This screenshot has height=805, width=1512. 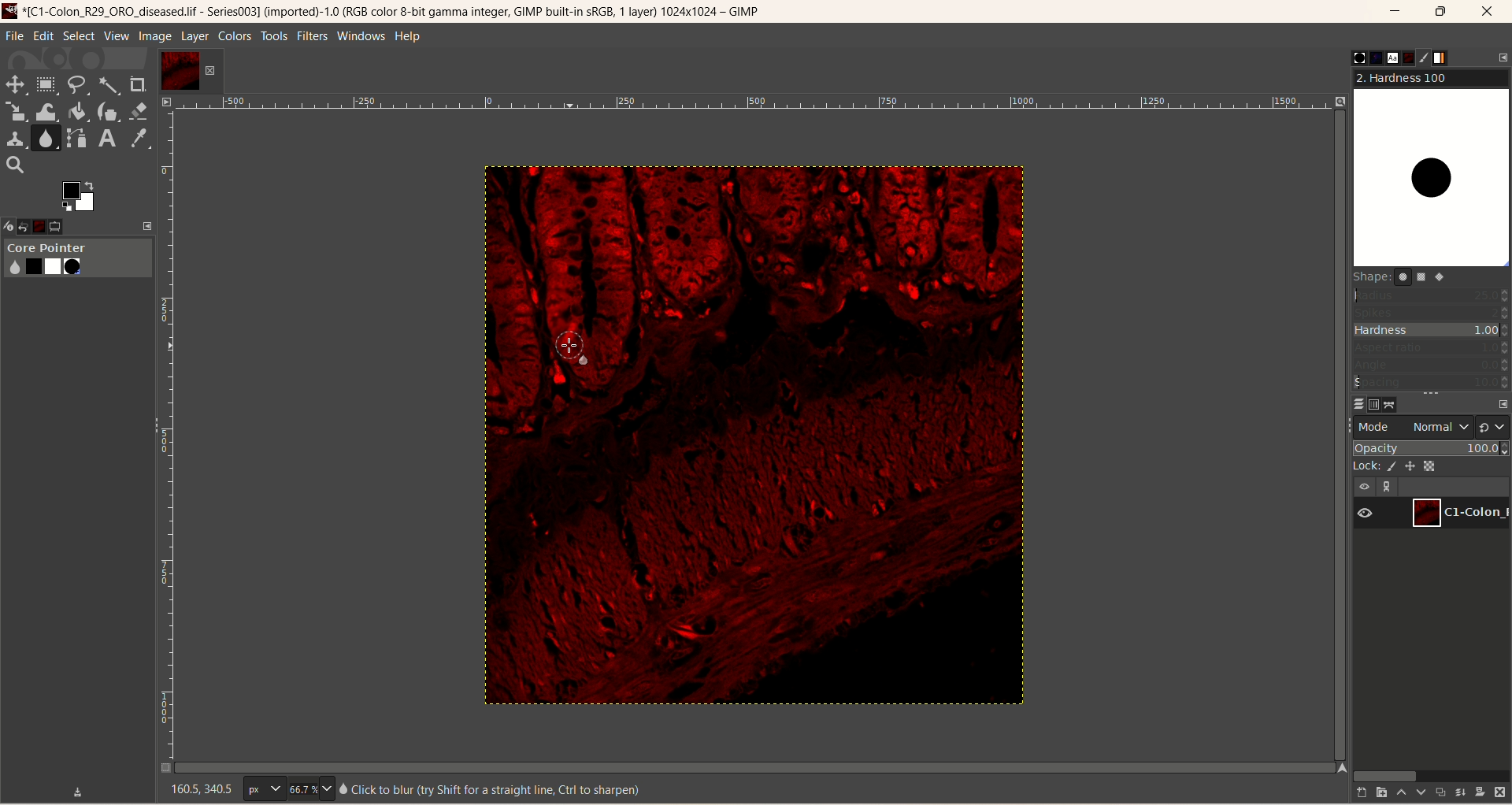 What do you see at coordinates (1365, 465) in the screenshot?
I see `lock` at bounding box center [1365, 465].